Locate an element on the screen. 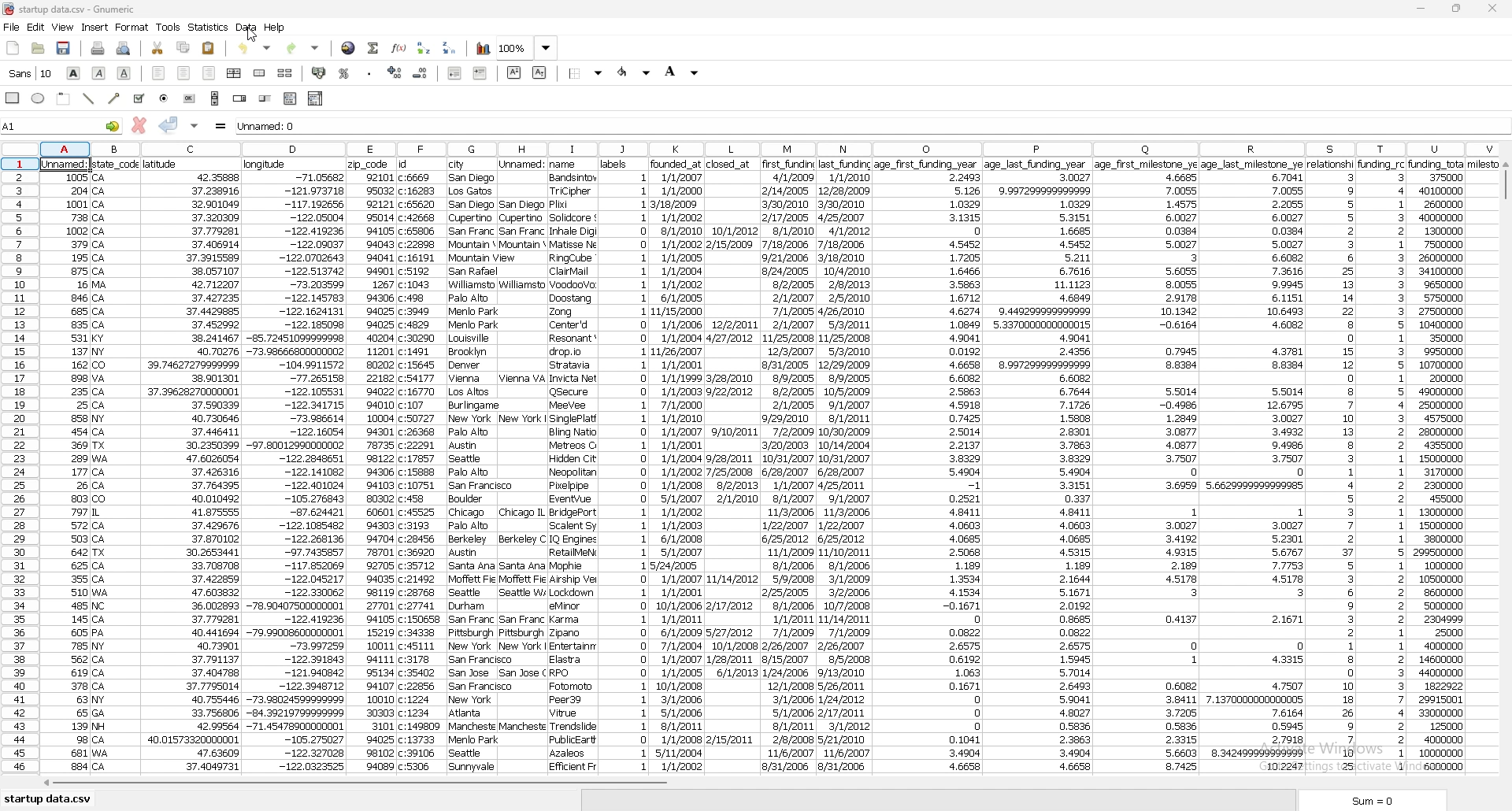 The image size is (1512, 811). open is located at coordinates (39, 49).